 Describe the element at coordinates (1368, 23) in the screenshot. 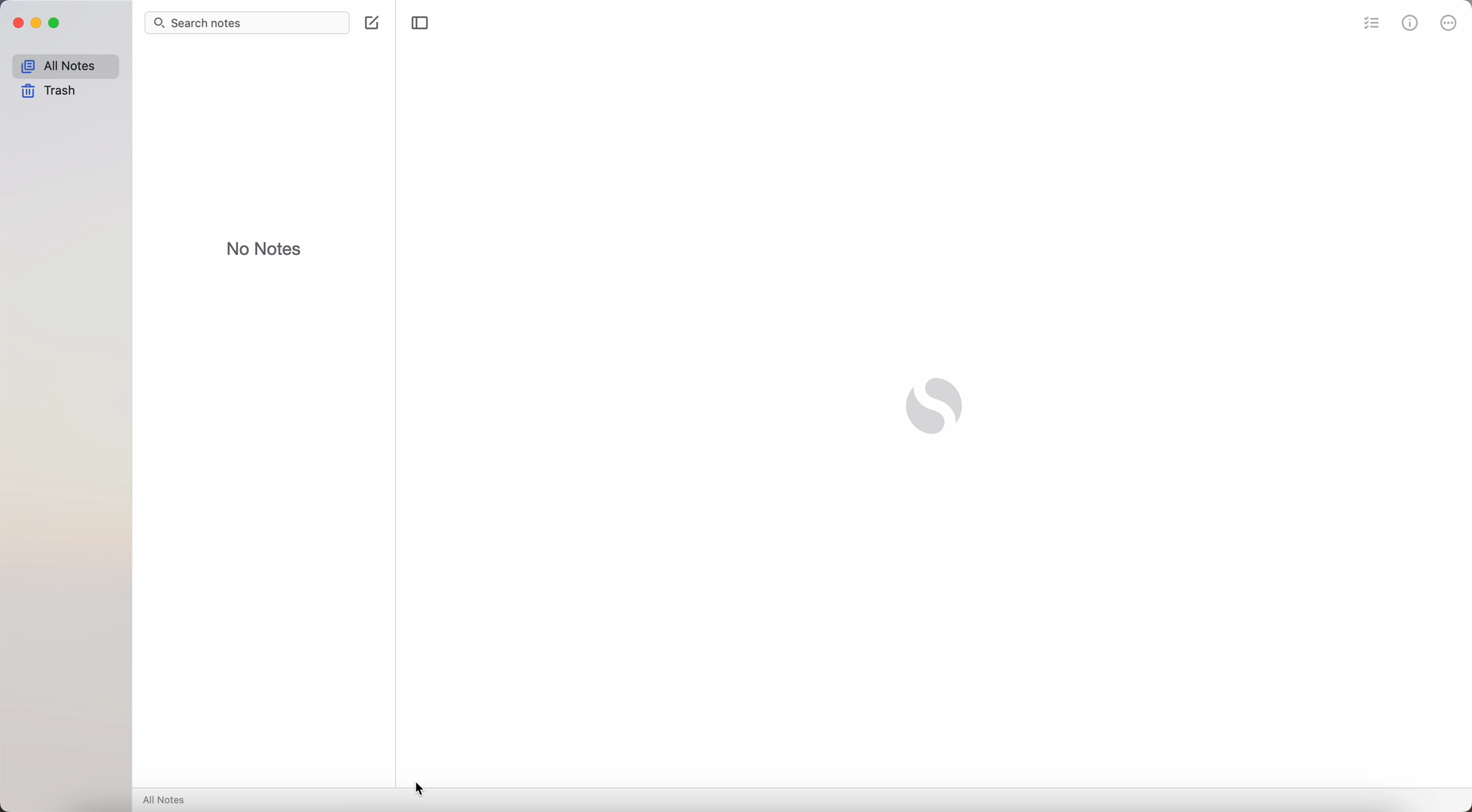

I see `check list` at that location.